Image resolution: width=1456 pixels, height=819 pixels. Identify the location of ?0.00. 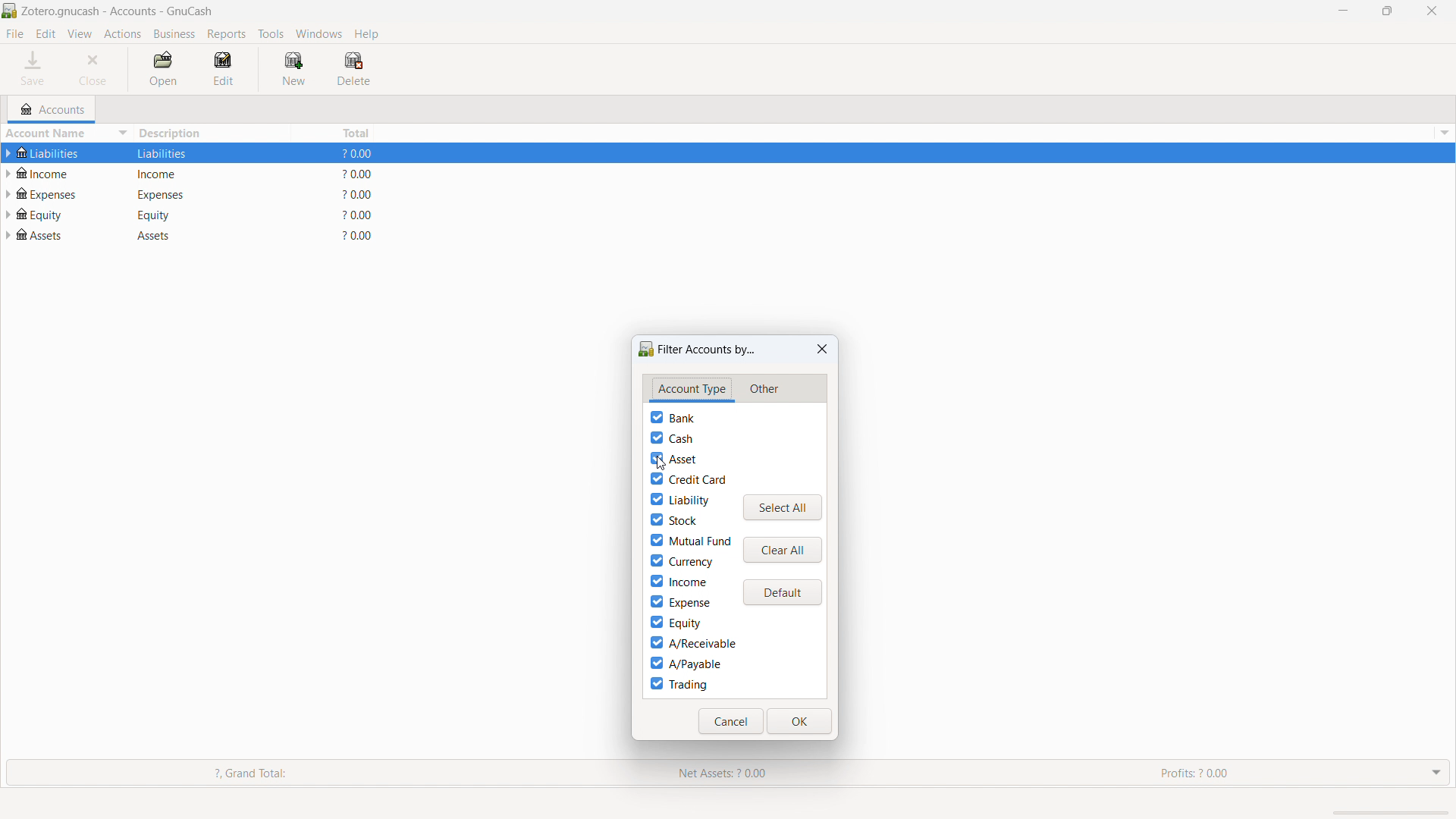
(356, 236).